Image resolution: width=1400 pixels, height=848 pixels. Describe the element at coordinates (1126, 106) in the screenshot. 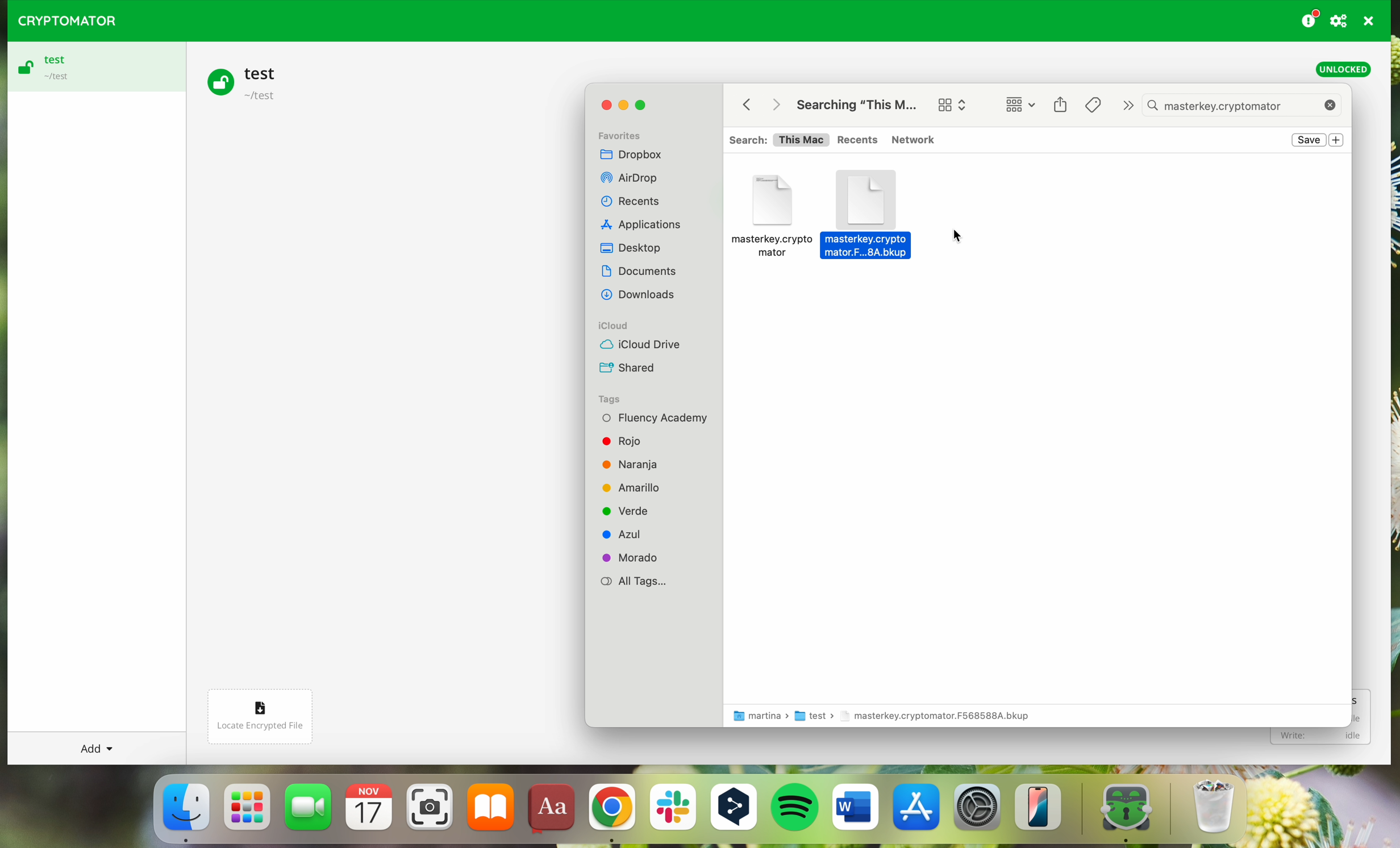

I see `next` at that location.